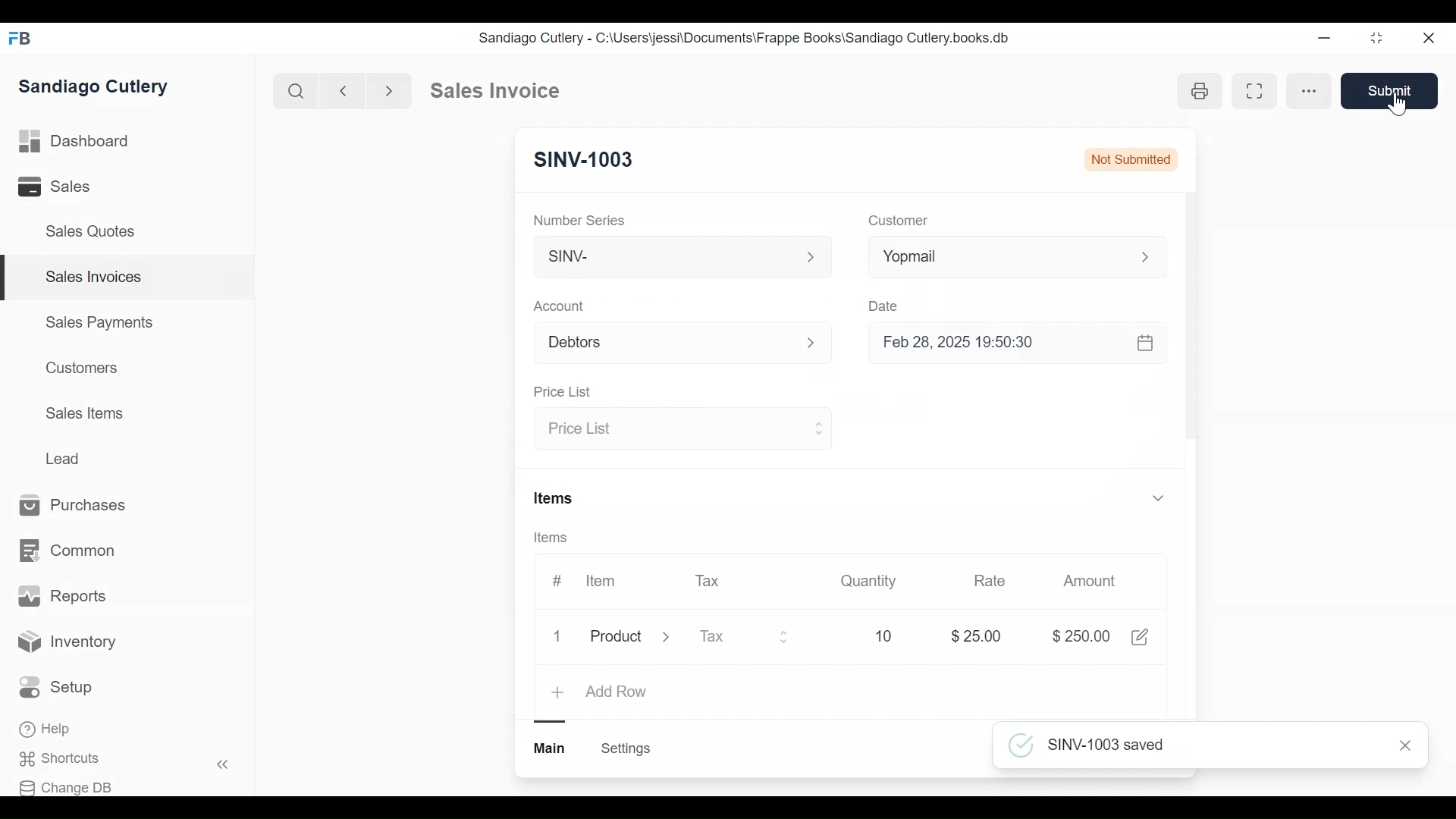 This screenshot has width=1456, height=819. Describe the element at coordinates (556, 497) in the screenshot. I see `Items` at that location.